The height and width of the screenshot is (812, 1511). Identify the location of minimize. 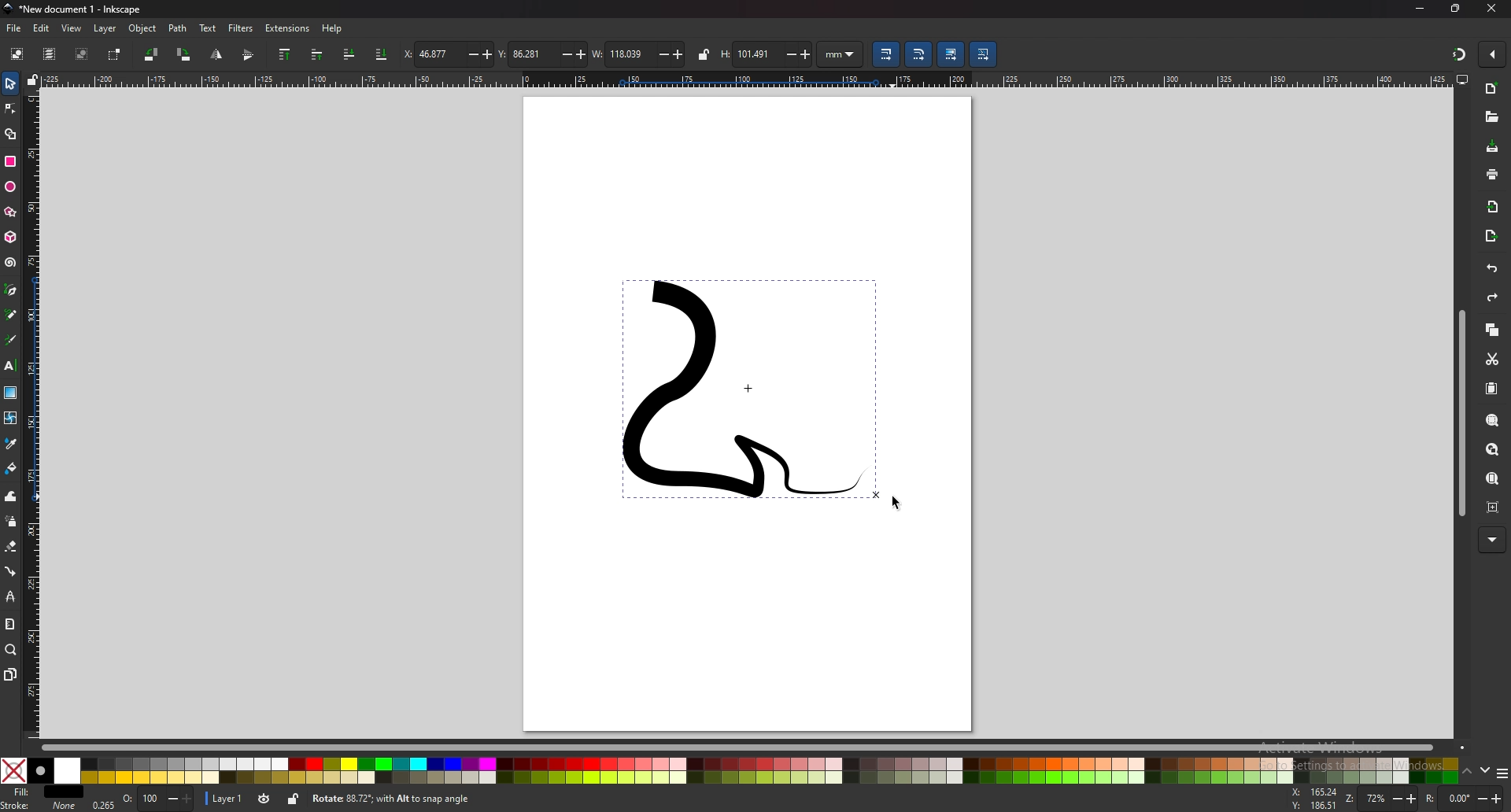
(1420, 8).